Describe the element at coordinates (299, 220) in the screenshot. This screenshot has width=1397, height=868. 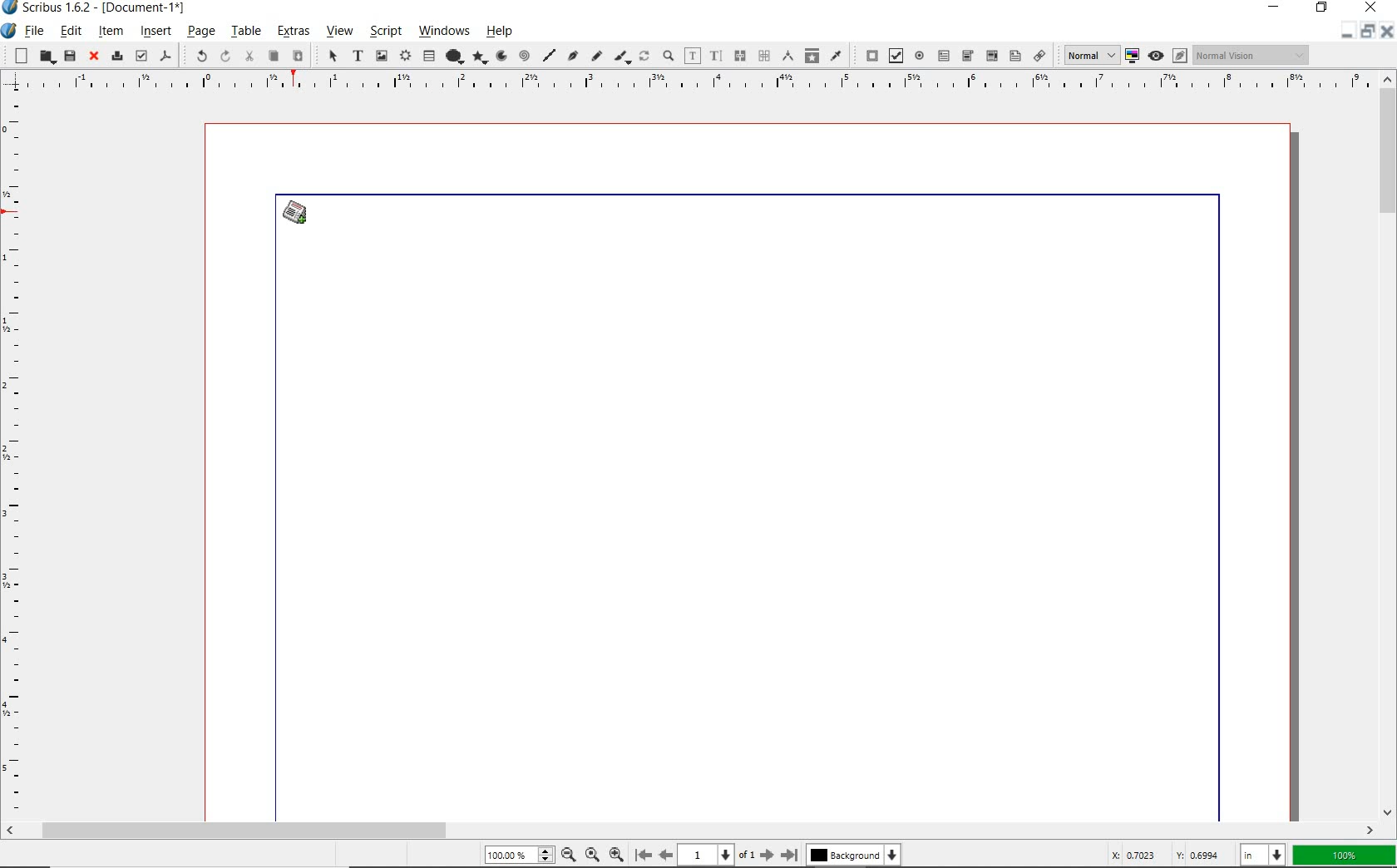
I see `Cursor Position` at that location.